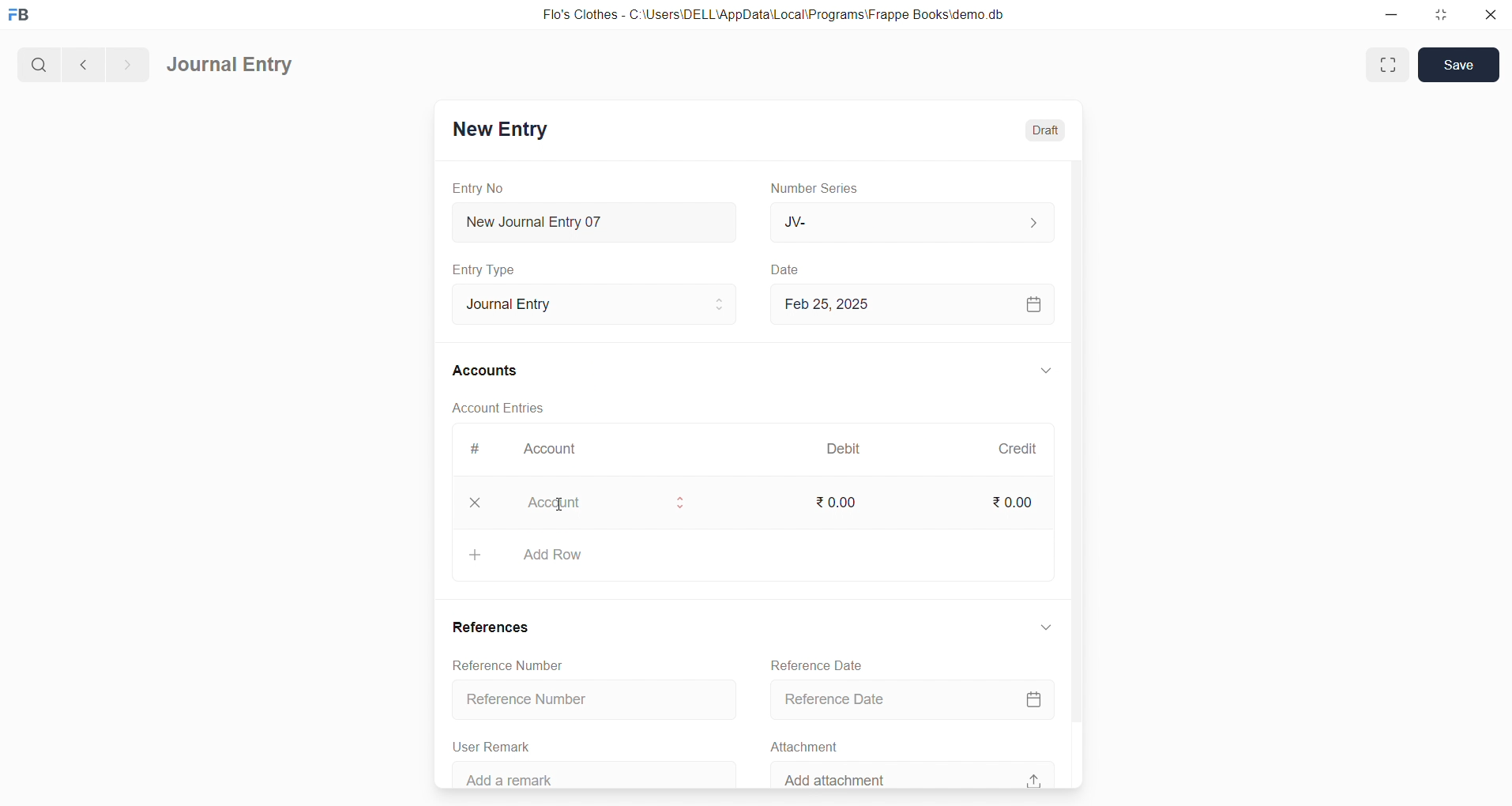 This screenshot has height=806, width=1512. I want to click on ₹ 0.00, so click(841, 503).